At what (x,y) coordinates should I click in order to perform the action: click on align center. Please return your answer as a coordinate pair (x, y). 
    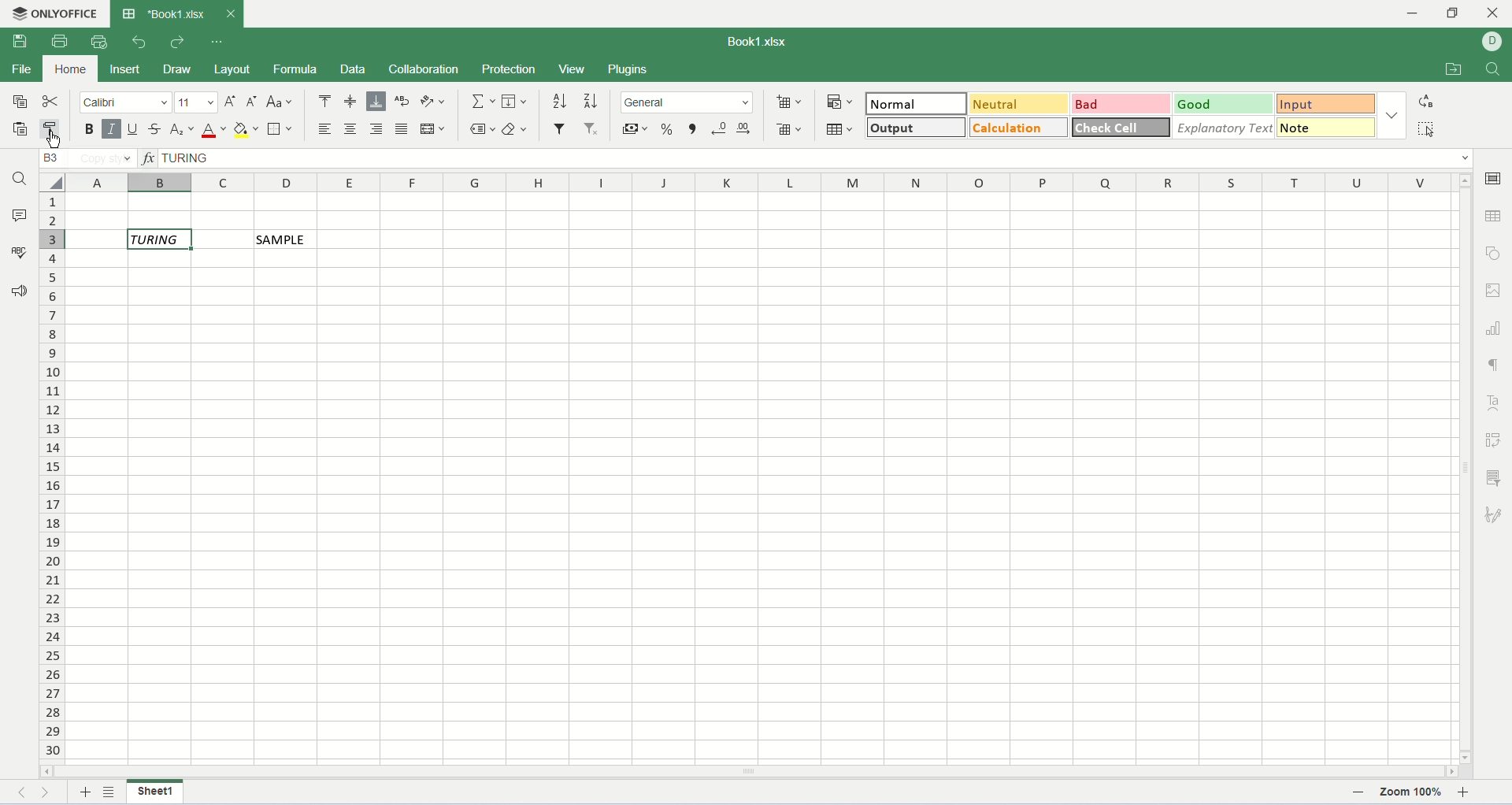
    Looking at the image, I should click on (350, 128).